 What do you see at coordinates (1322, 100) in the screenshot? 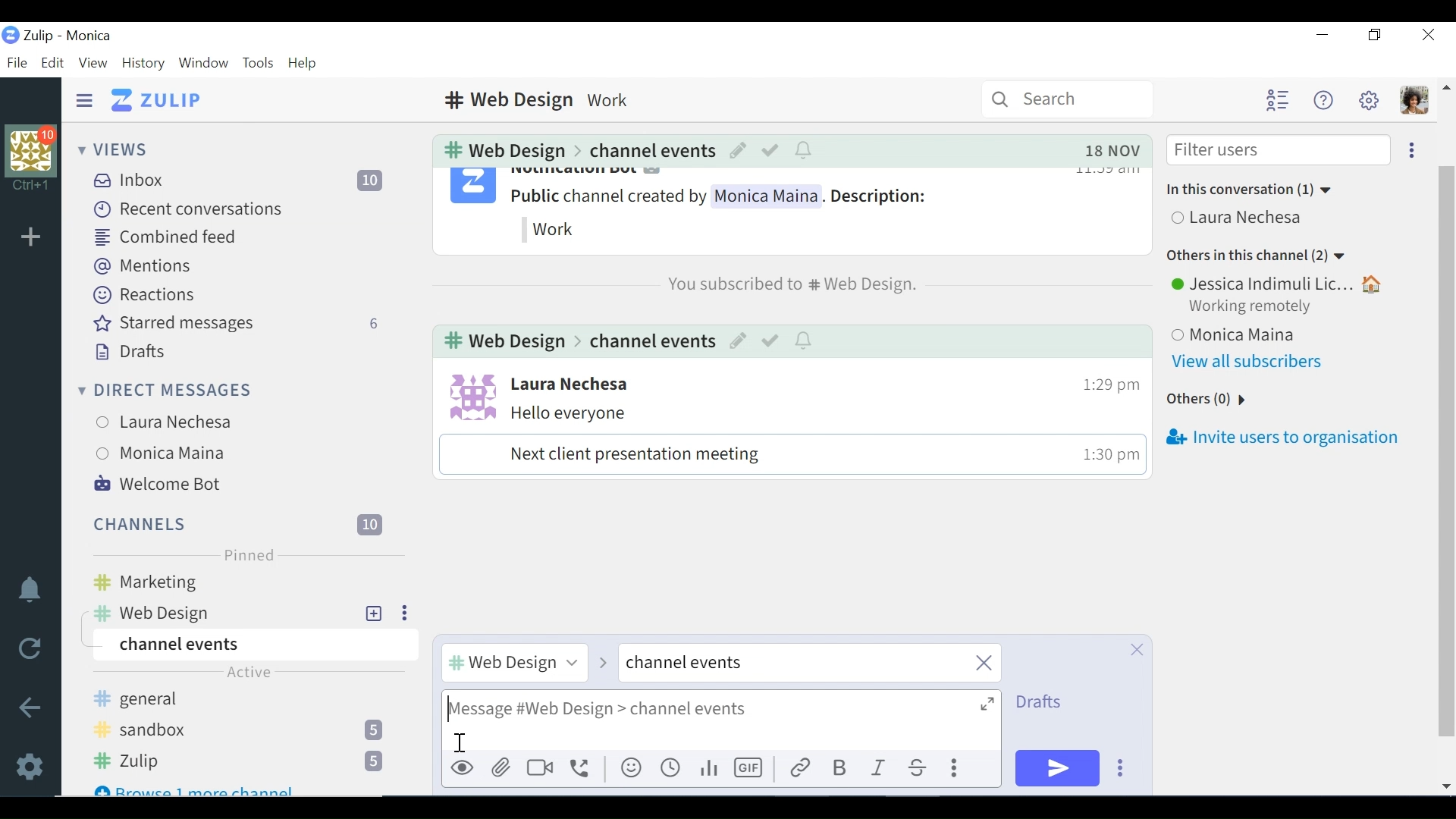
I see `Help menu` at bounding box center [1322, 100].